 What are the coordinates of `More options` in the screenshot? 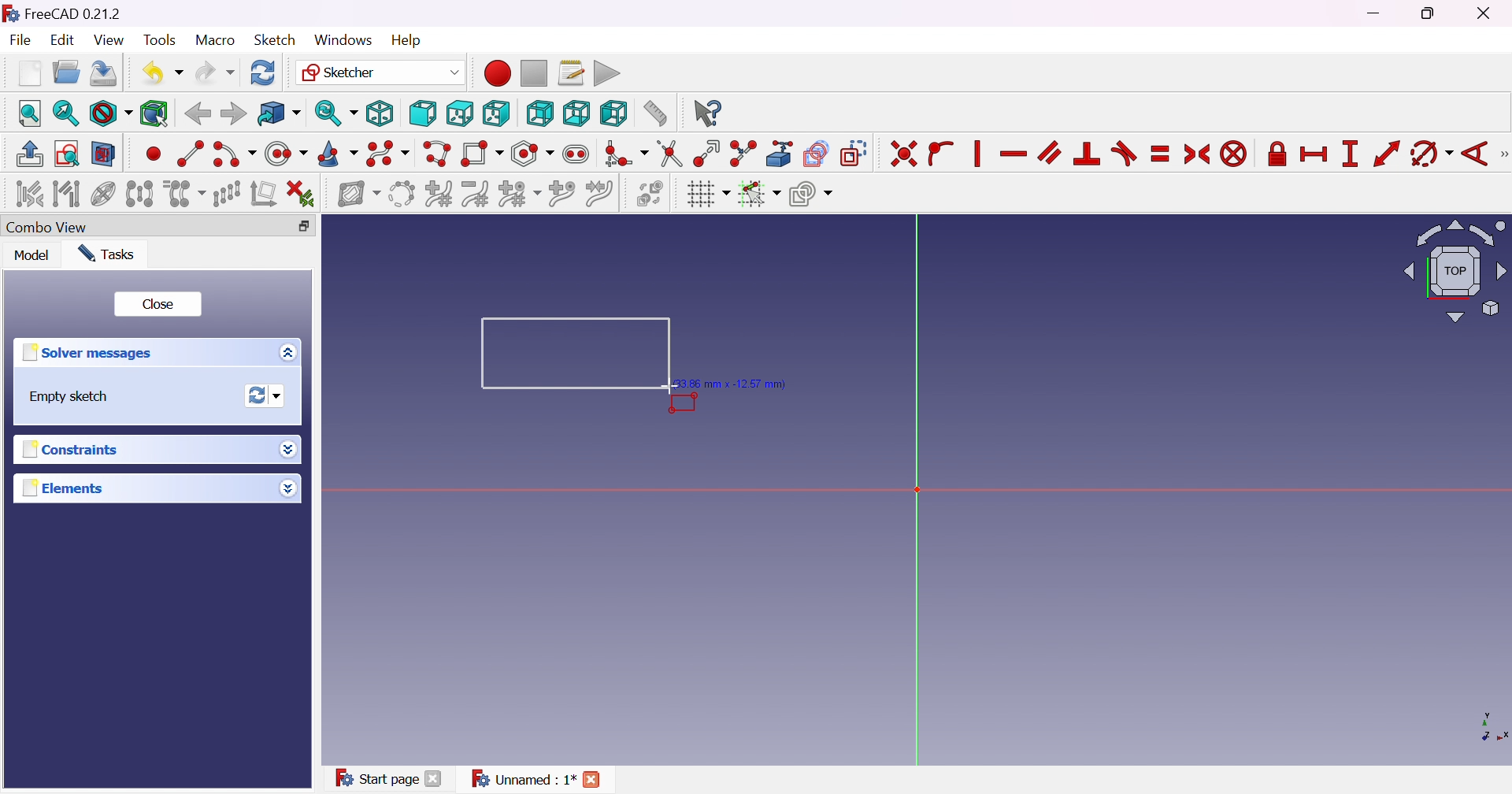 It's located at (291, 449).